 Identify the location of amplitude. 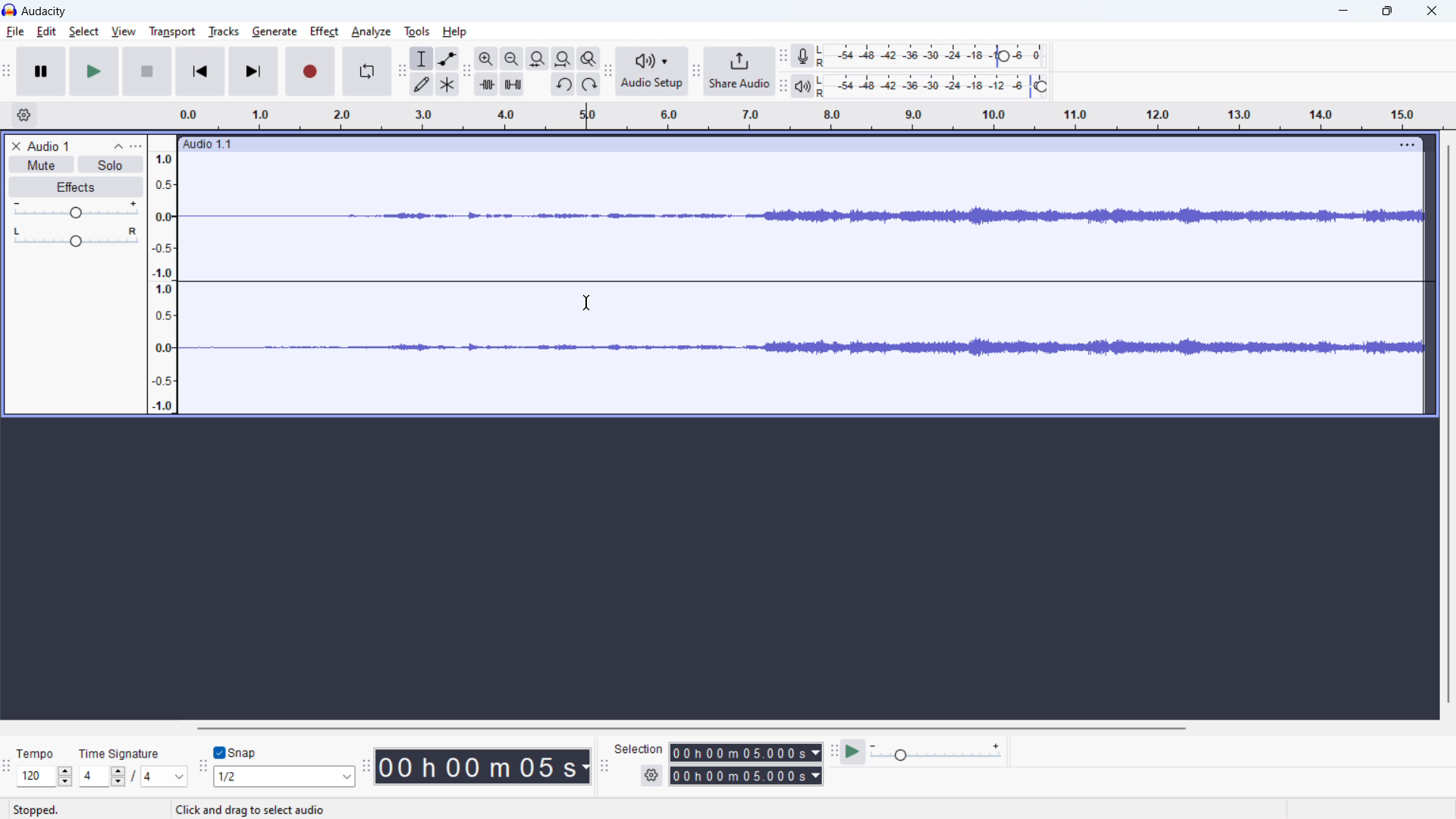
(163, 275).